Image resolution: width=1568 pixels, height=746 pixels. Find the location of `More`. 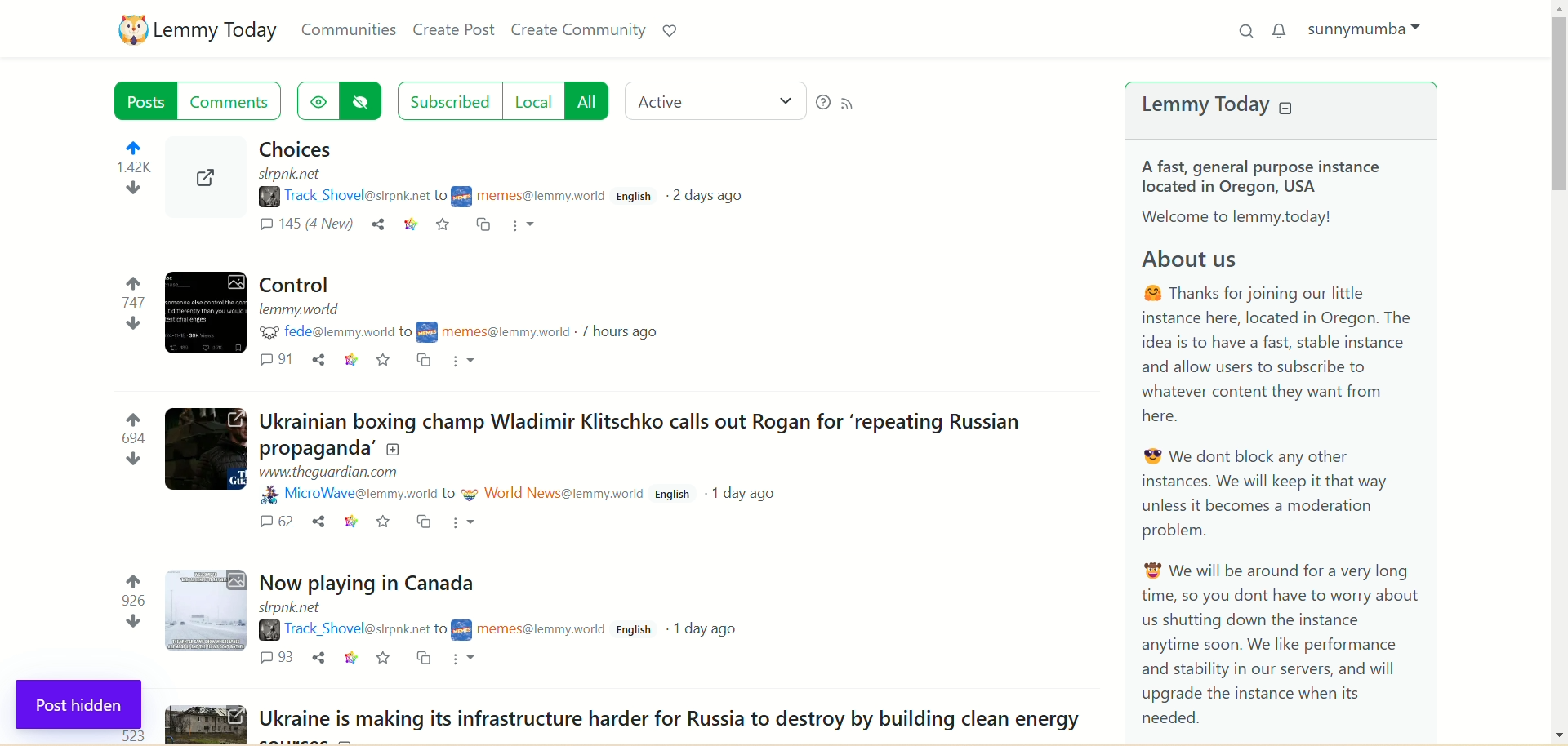

More is located at coordinates (469, 360).